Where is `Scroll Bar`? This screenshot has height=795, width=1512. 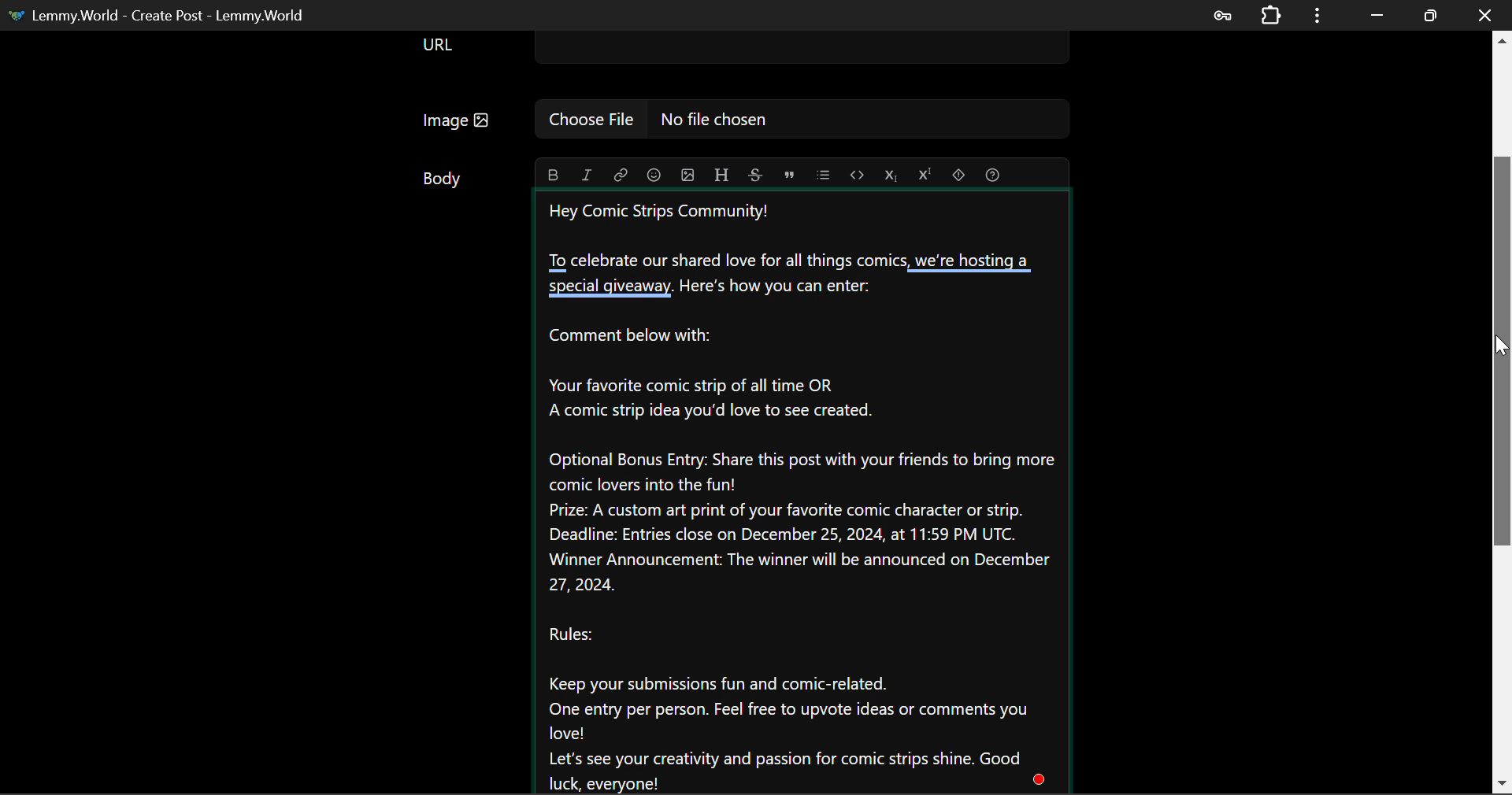 Scroll Bar is located at coordinates (1503, 411).